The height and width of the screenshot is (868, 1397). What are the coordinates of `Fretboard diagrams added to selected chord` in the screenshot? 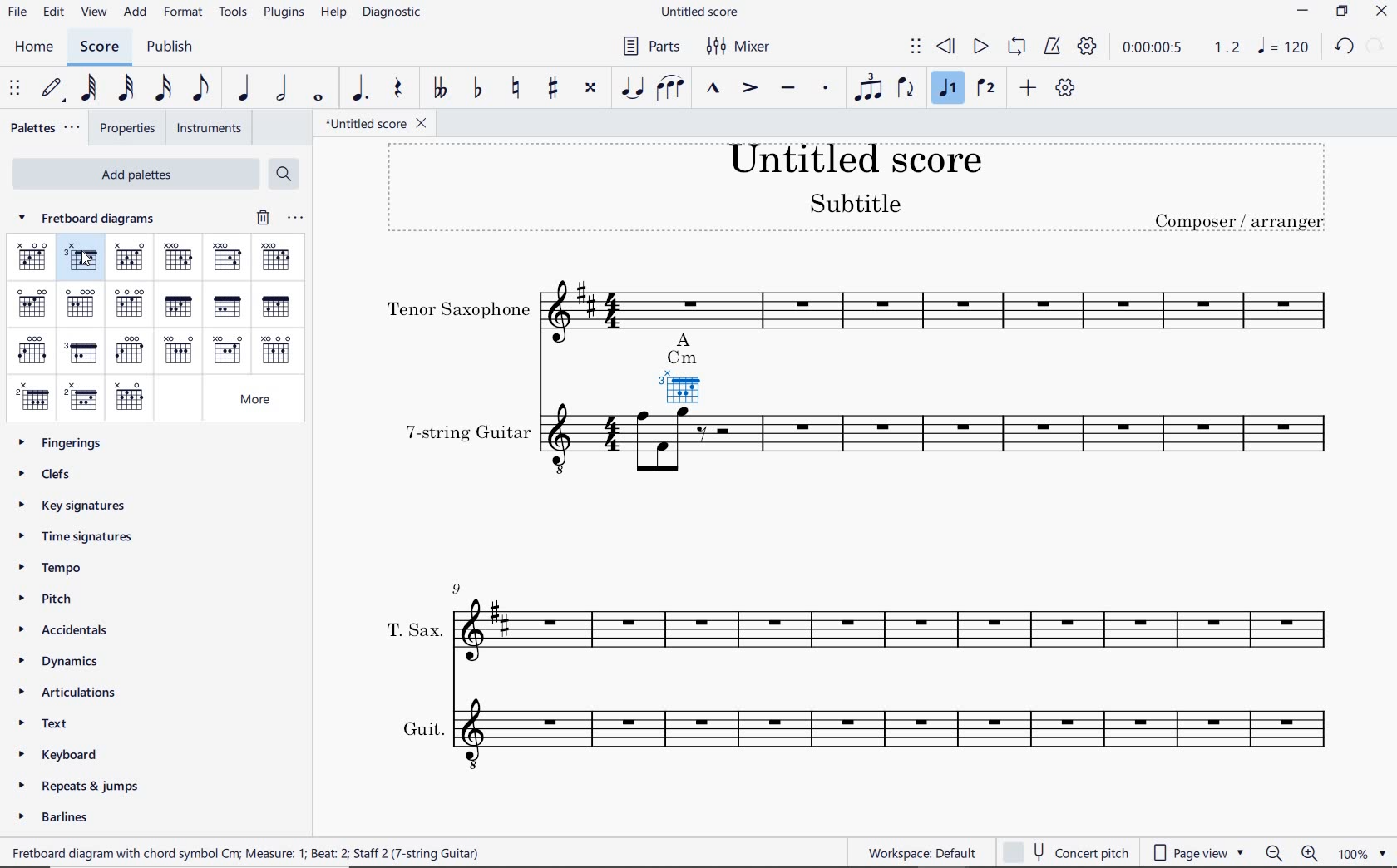 It's located at (689, 369).